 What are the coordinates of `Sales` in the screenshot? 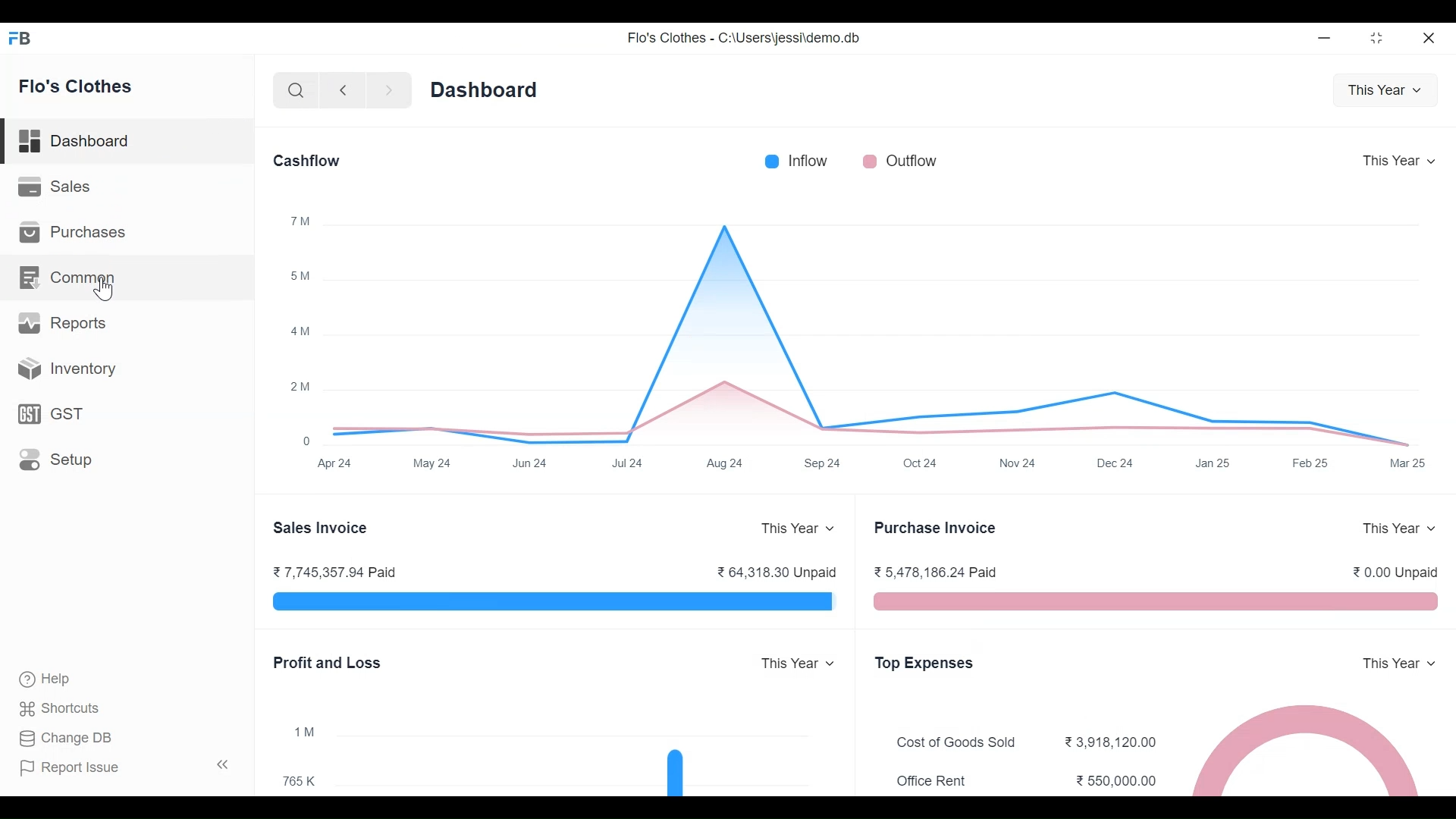 It's located at (57, 186).